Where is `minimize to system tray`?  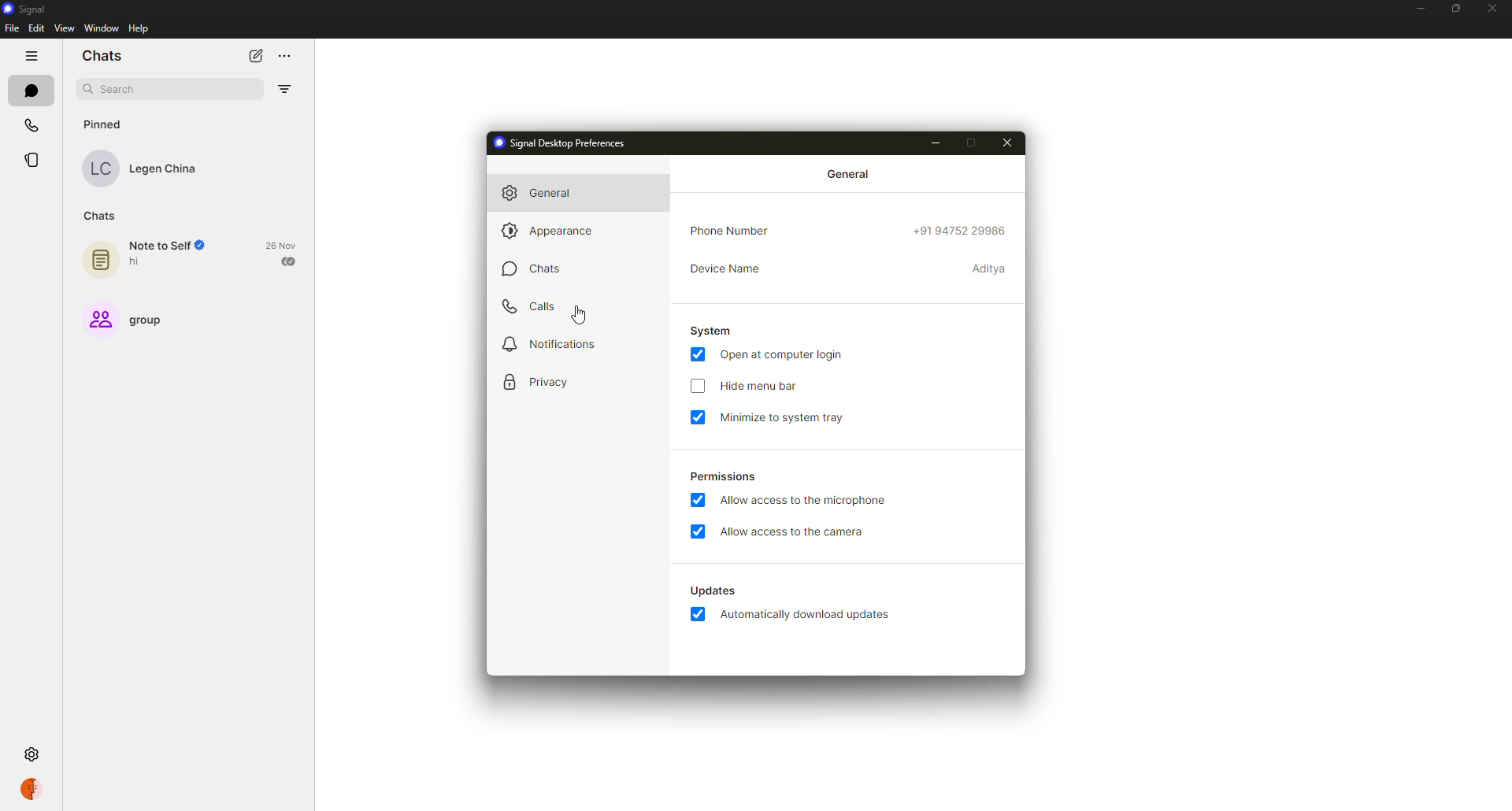
minimize to system tray is located at coordinates (797, 417).